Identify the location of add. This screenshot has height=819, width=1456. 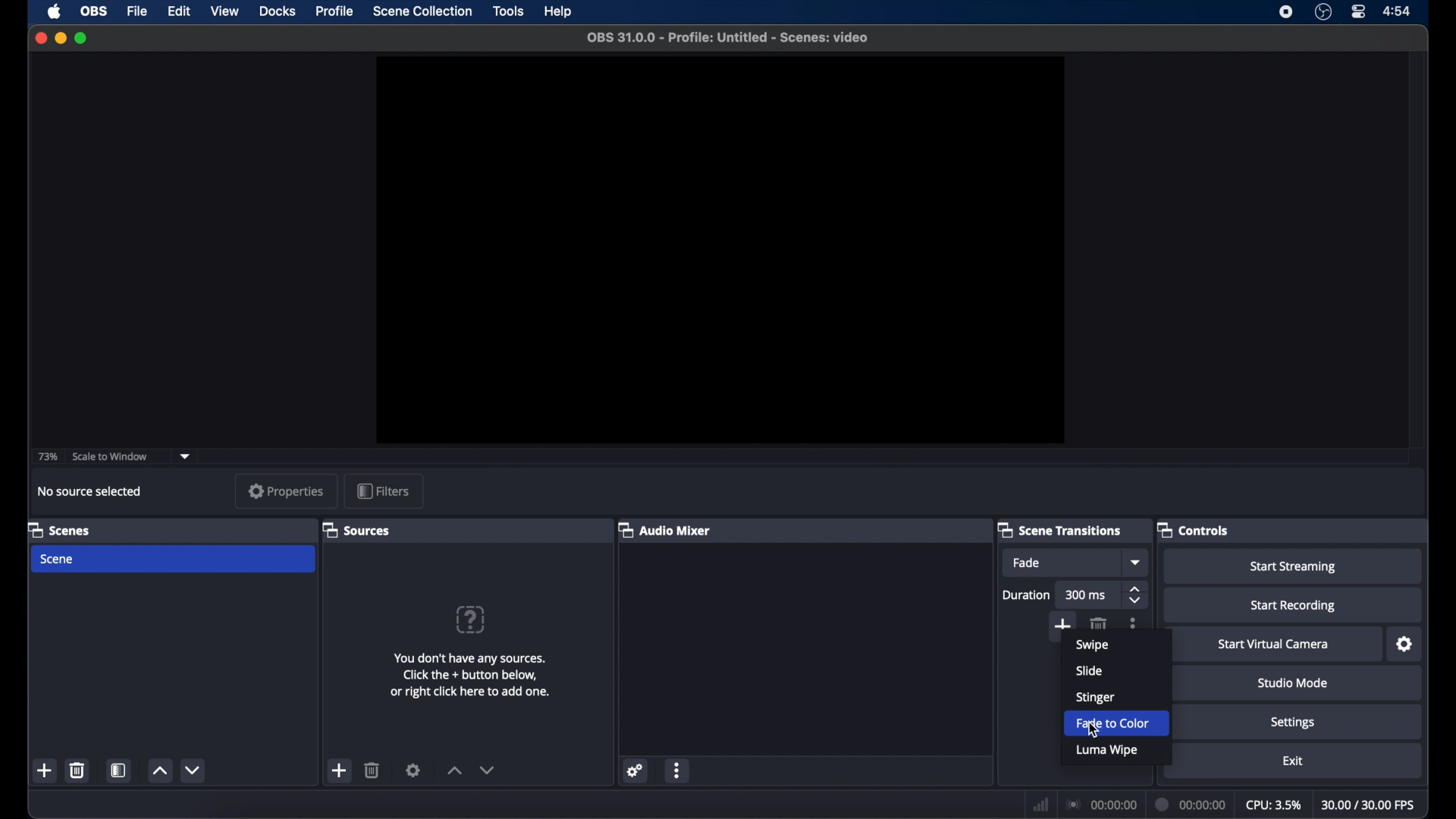
(1062, 623).